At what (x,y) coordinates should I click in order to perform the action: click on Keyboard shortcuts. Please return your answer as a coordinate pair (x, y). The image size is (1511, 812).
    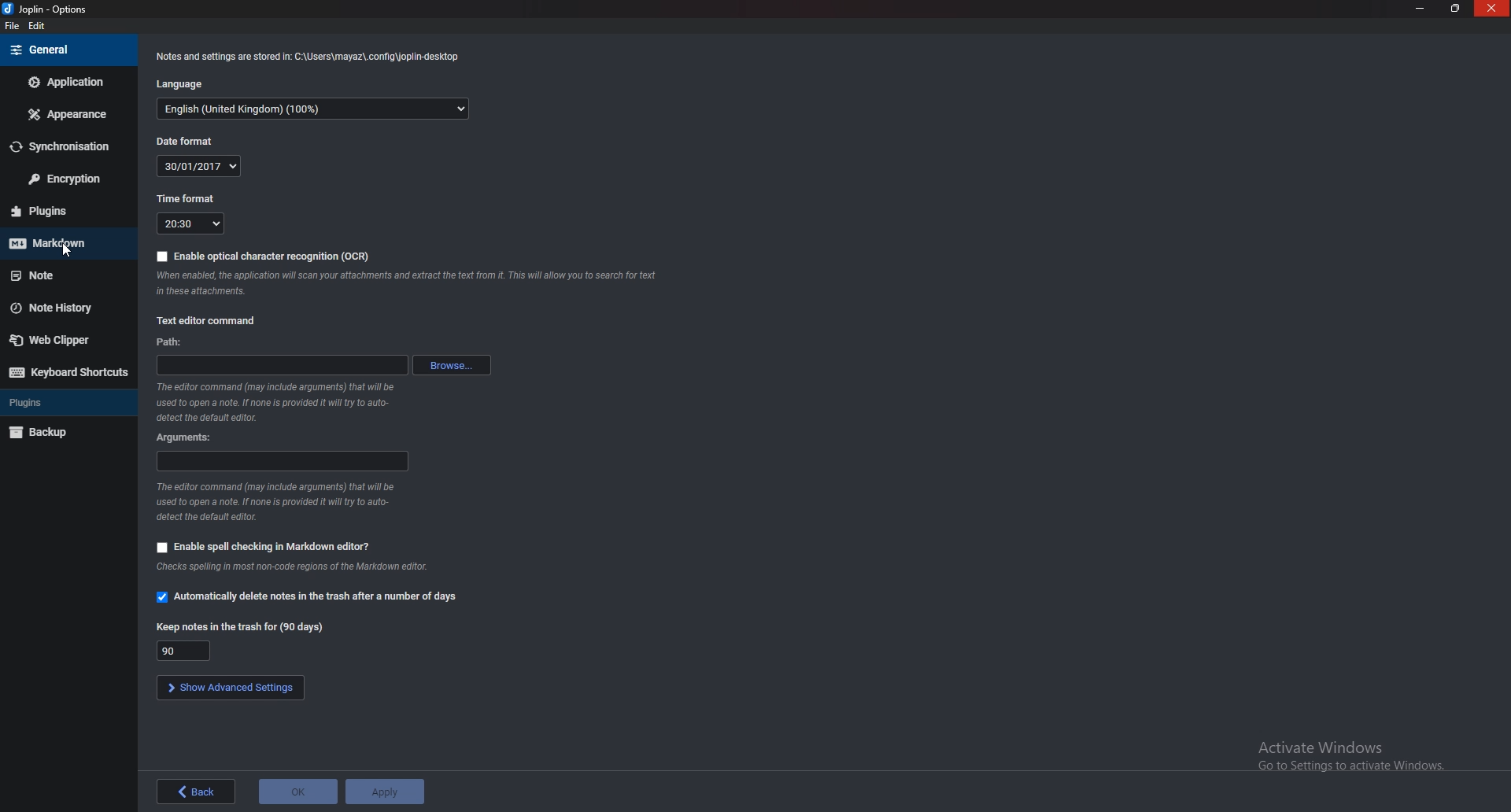
    Looking at the image, I should click on (66, 373).